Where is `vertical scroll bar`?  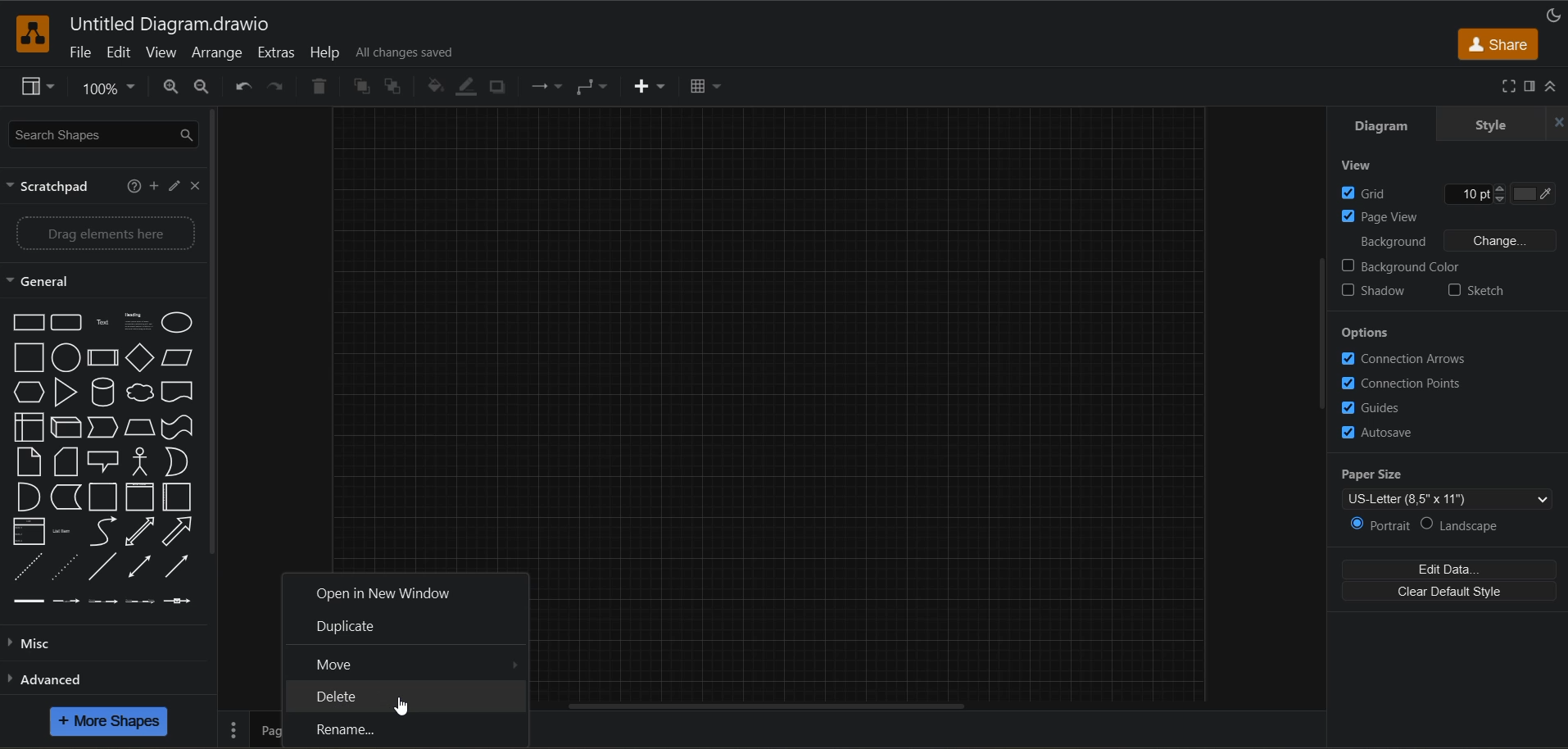
vertical scroll bar is located at coordinates (1323, 337).